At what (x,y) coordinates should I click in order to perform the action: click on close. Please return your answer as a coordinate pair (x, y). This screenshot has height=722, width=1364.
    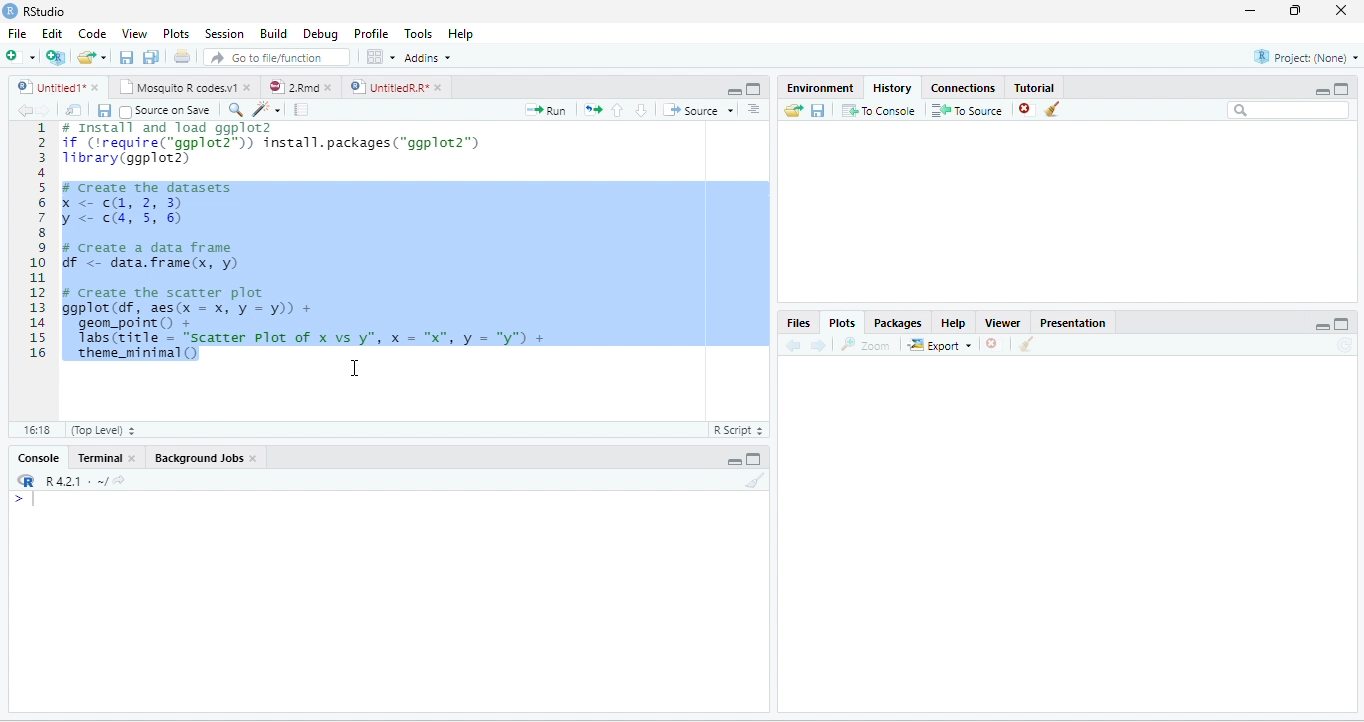
    Looking at the image, I should click on (95, 87).